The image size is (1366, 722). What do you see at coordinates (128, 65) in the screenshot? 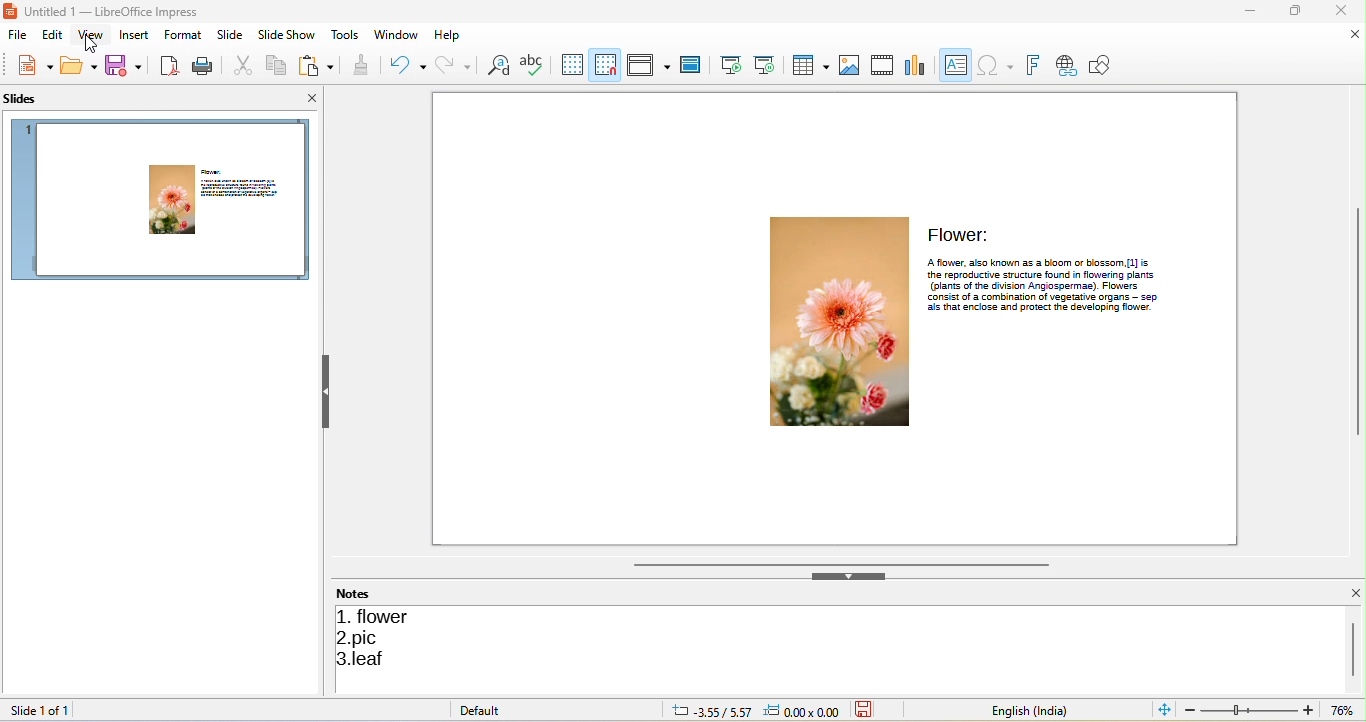
I see `save` at bounding box center [128, 65].